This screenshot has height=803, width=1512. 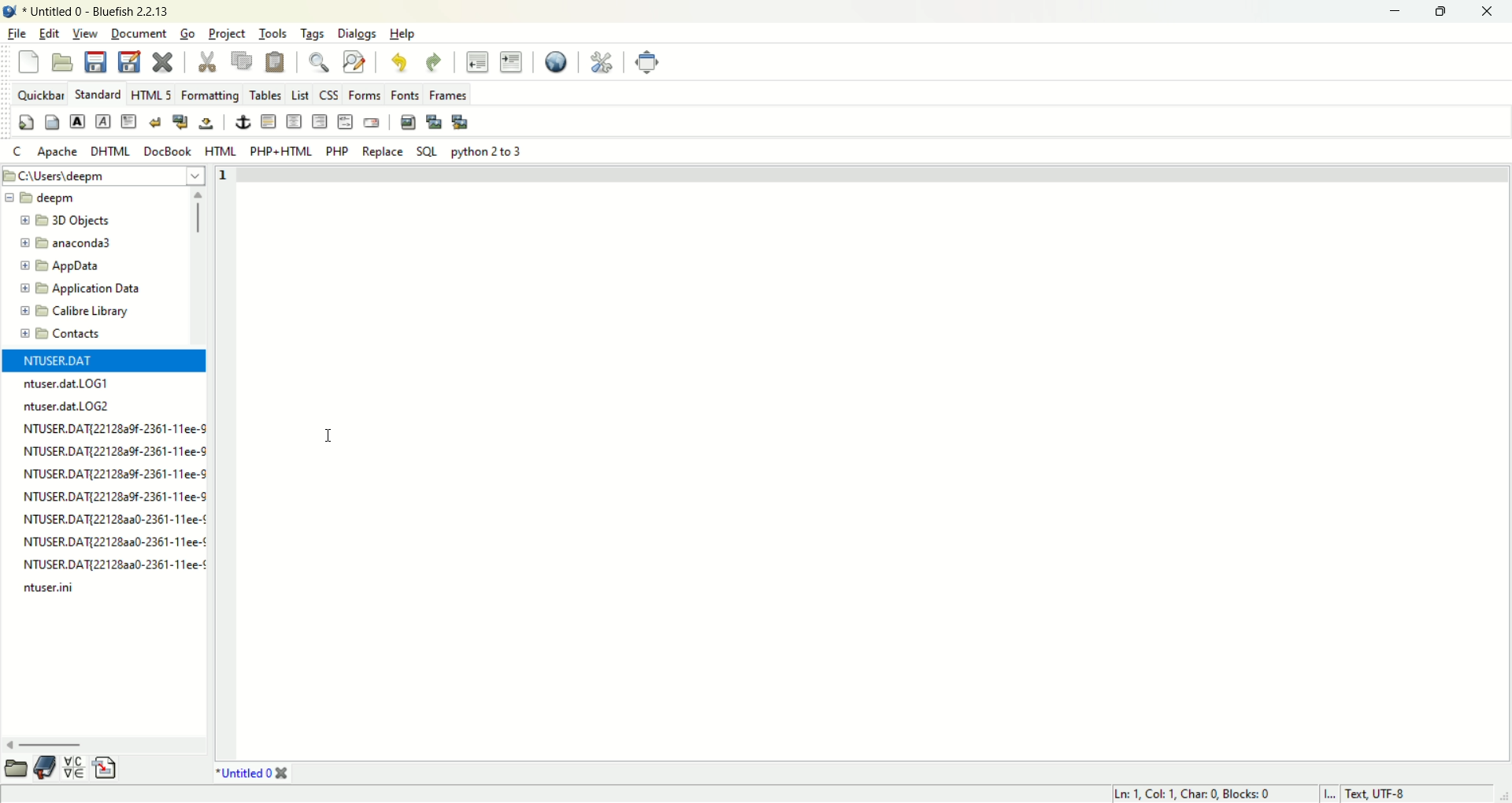 I want to click on view, so click(x=83, y=33).